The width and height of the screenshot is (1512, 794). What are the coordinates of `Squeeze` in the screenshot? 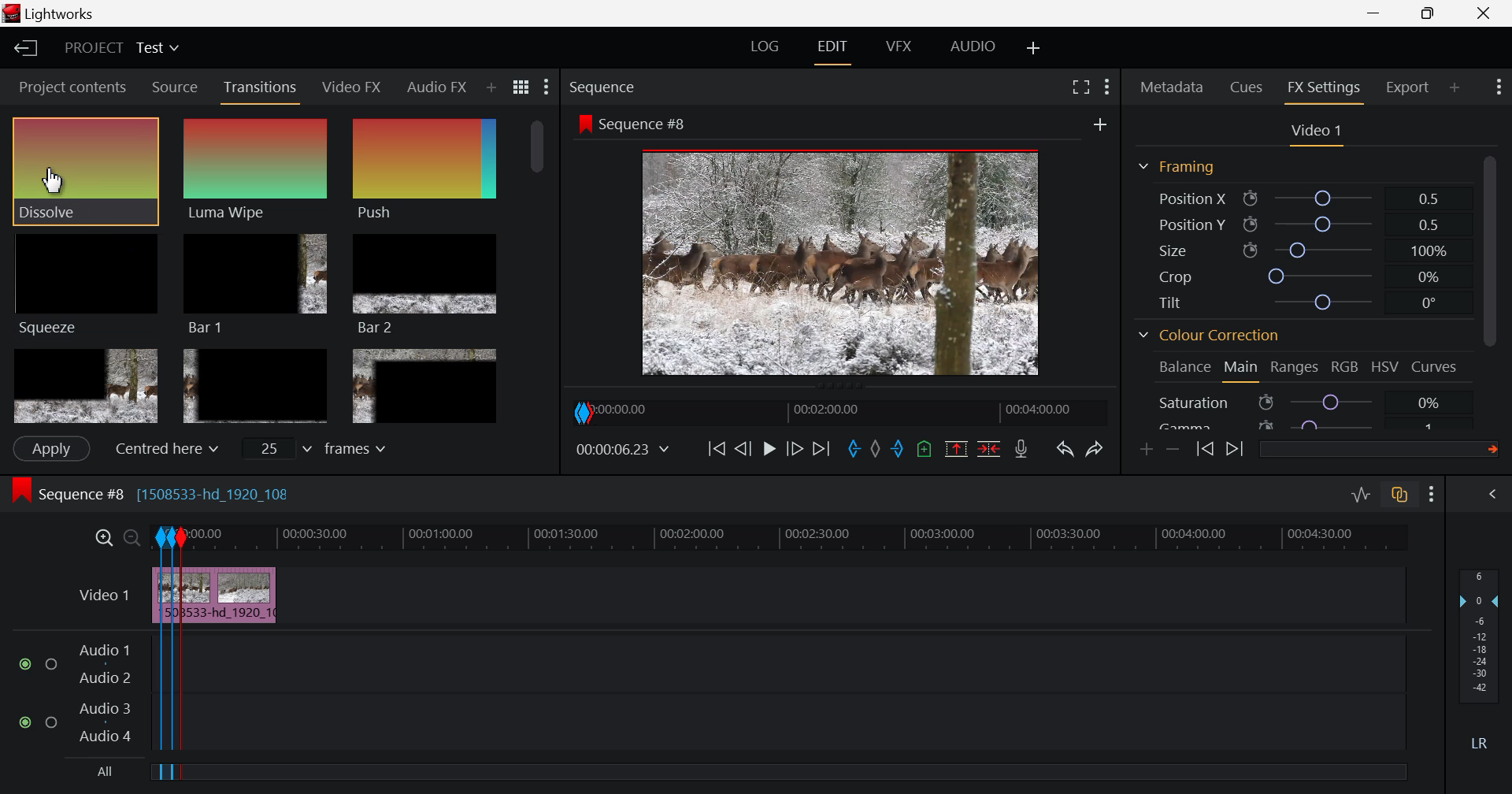 It's located at (84, 283).